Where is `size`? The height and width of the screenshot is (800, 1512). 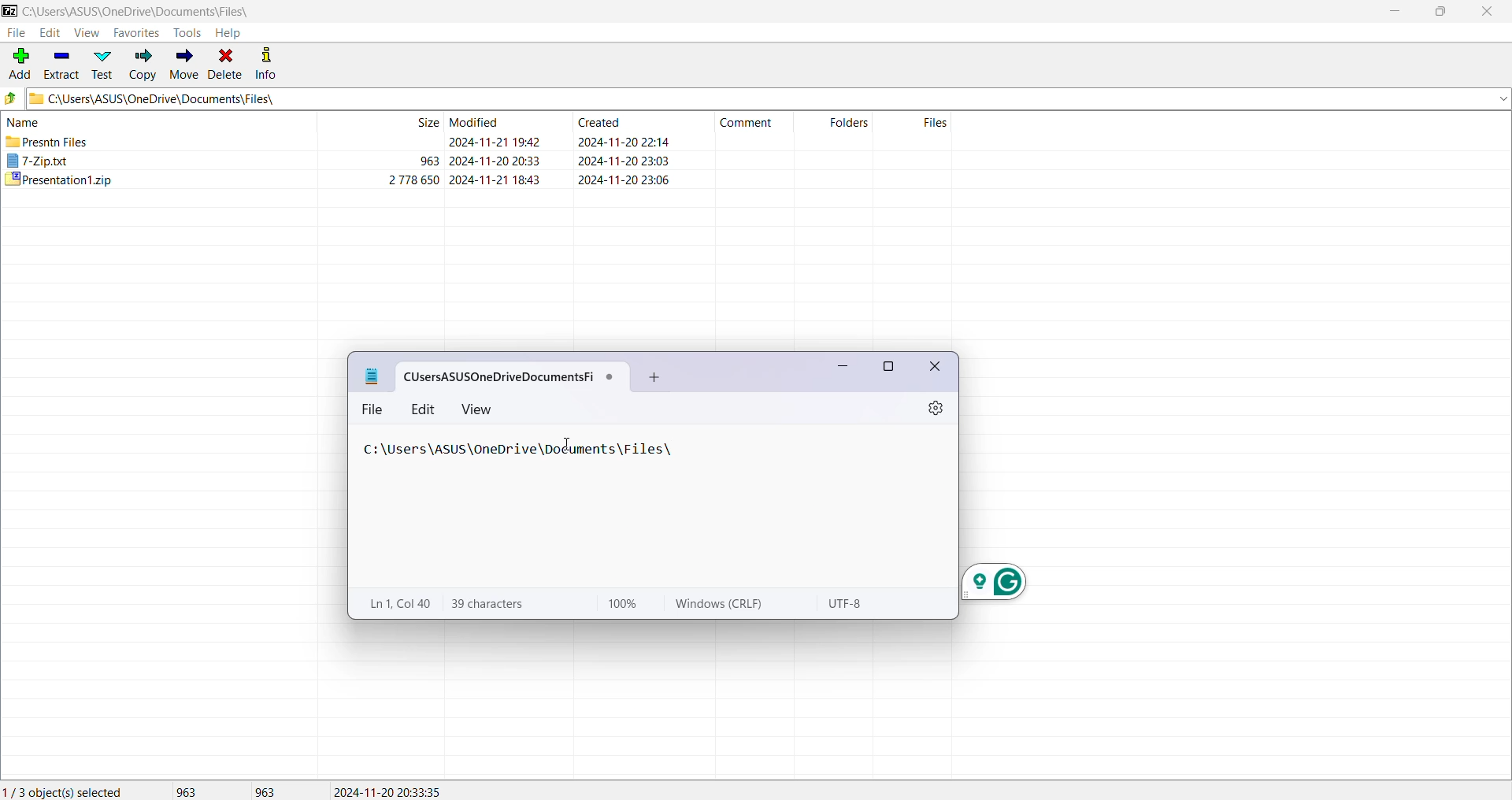 size is located at coordinates (428, 122).